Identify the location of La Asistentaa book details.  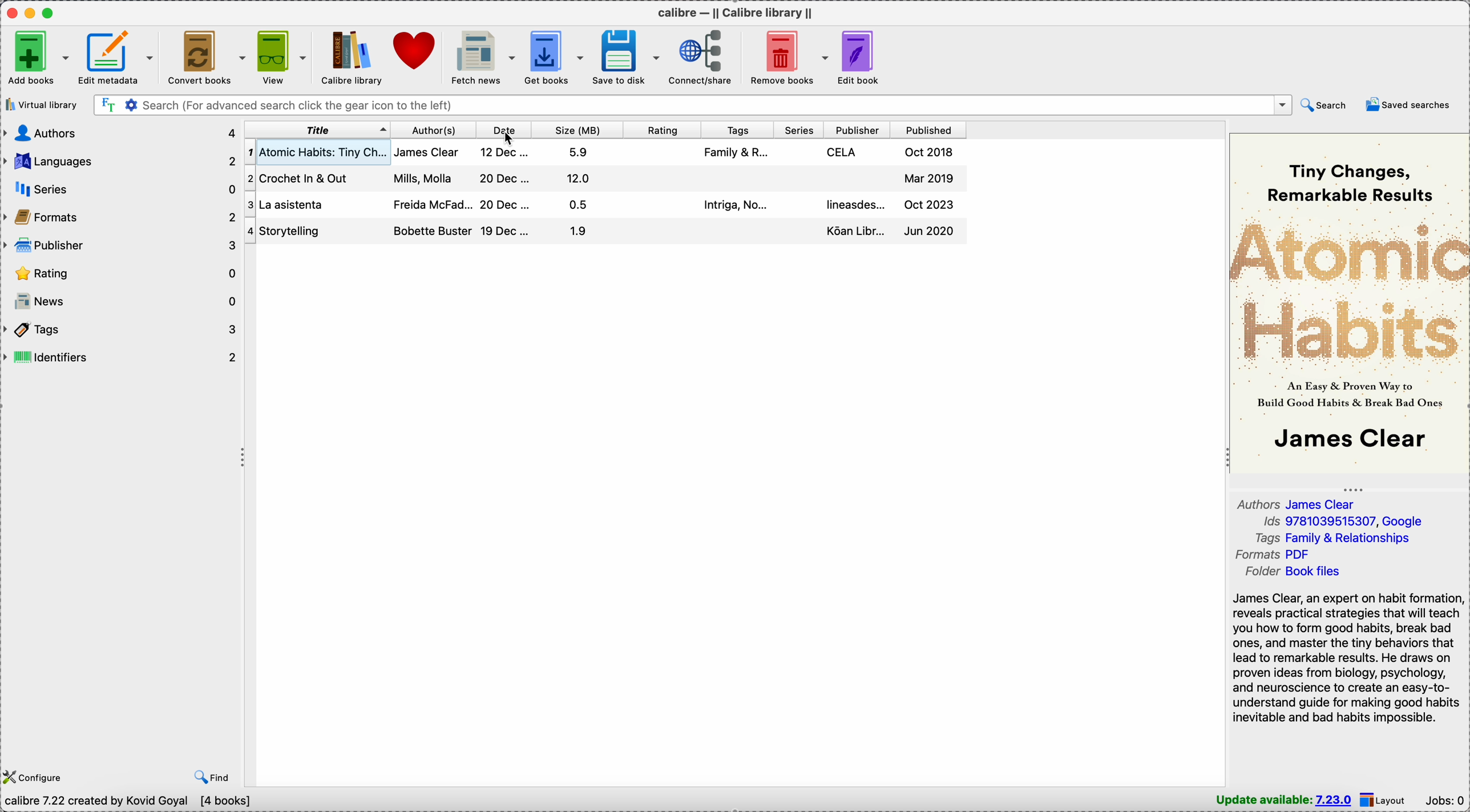
(601, 205).